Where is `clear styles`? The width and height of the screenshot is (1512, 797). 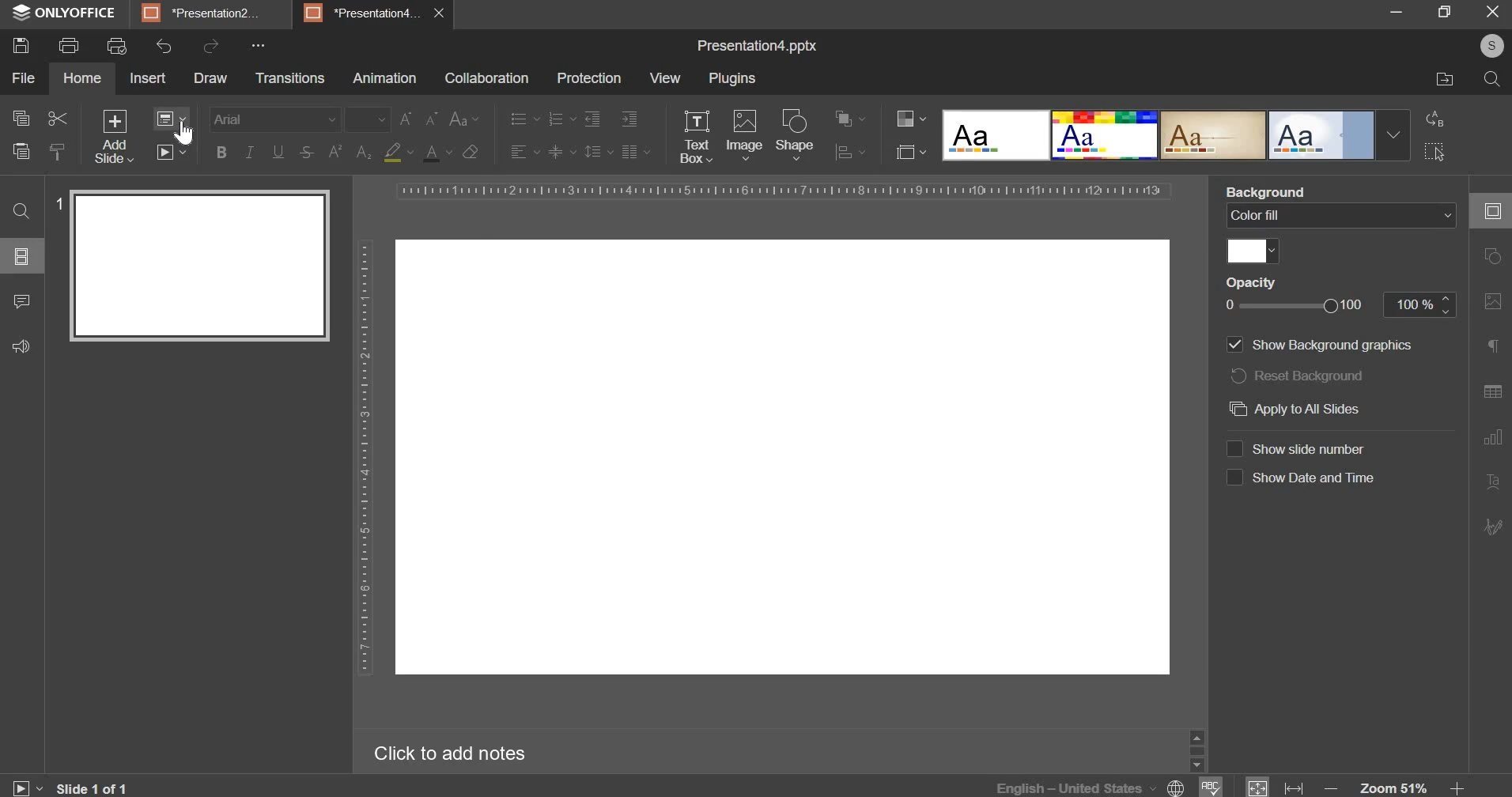 clear styles is located at coordinates (471, 152).